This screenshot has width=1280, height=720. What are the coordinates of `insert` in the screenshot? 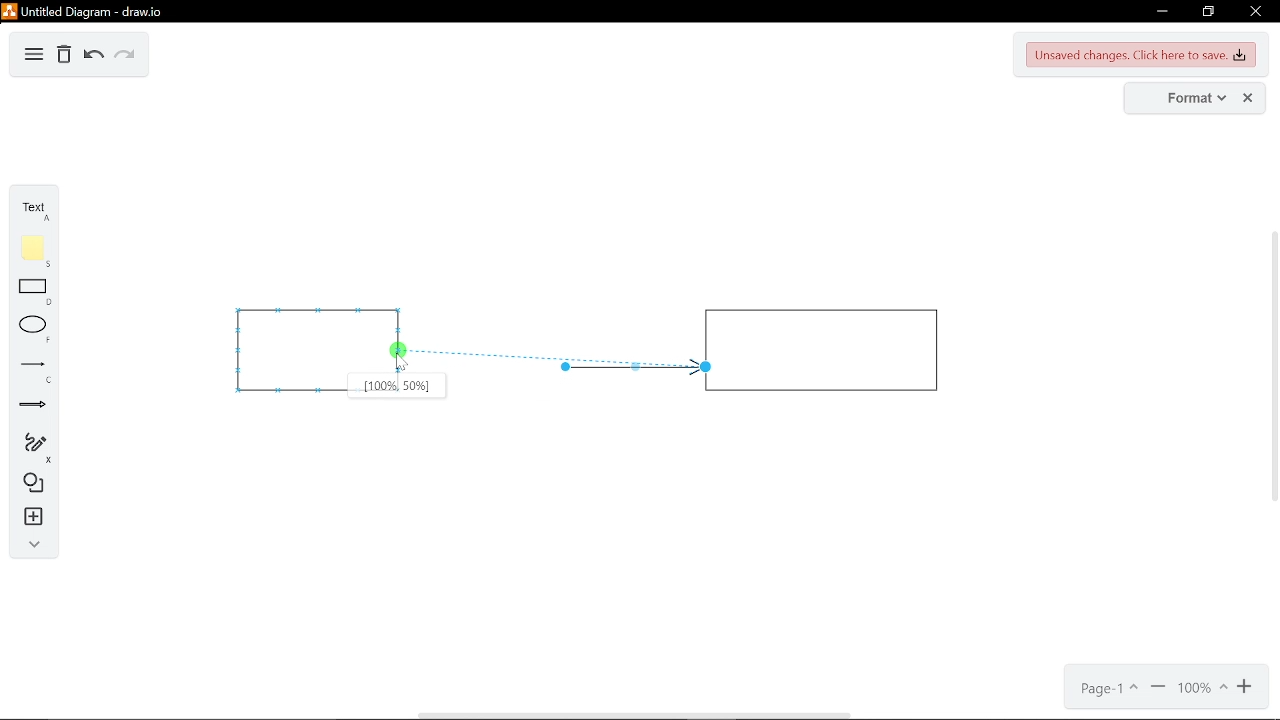 It's located at (32, 517).